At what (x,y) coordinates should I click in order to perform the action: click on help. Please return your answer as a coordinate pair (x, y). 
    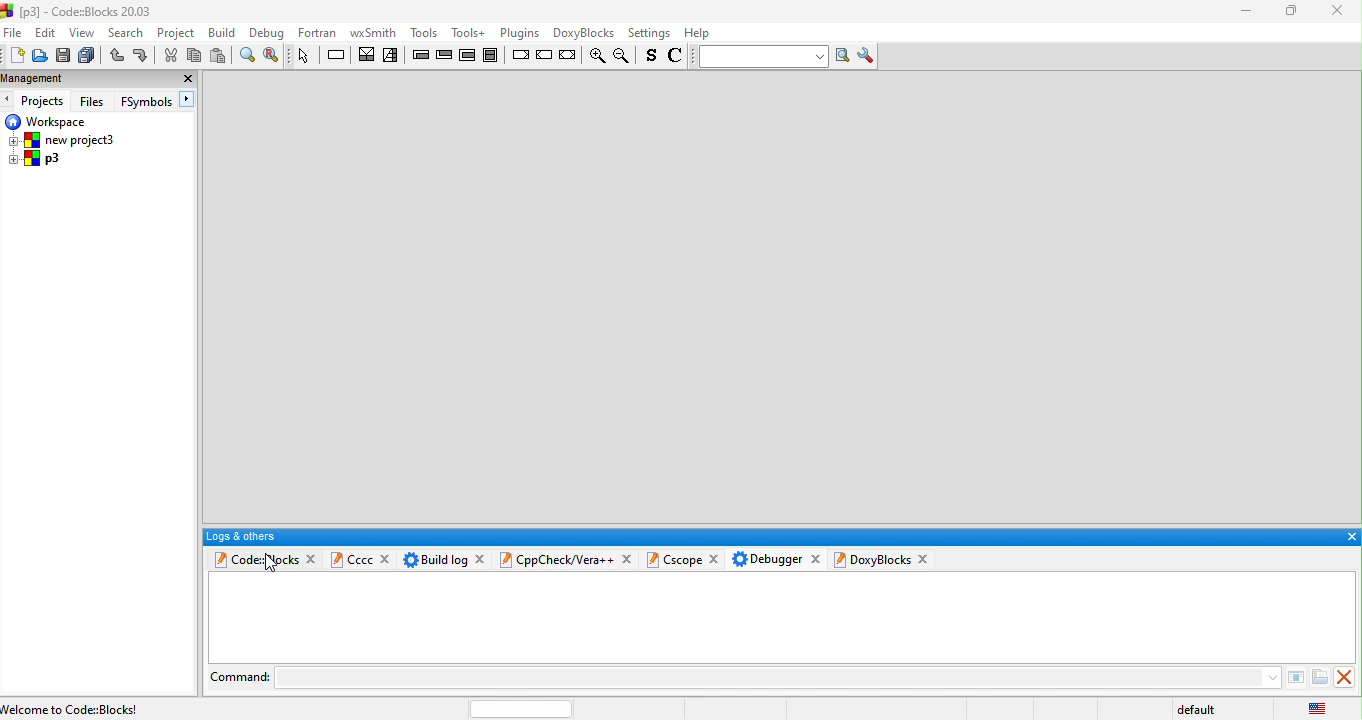
    Looking at the image, I should click on (700, 33).